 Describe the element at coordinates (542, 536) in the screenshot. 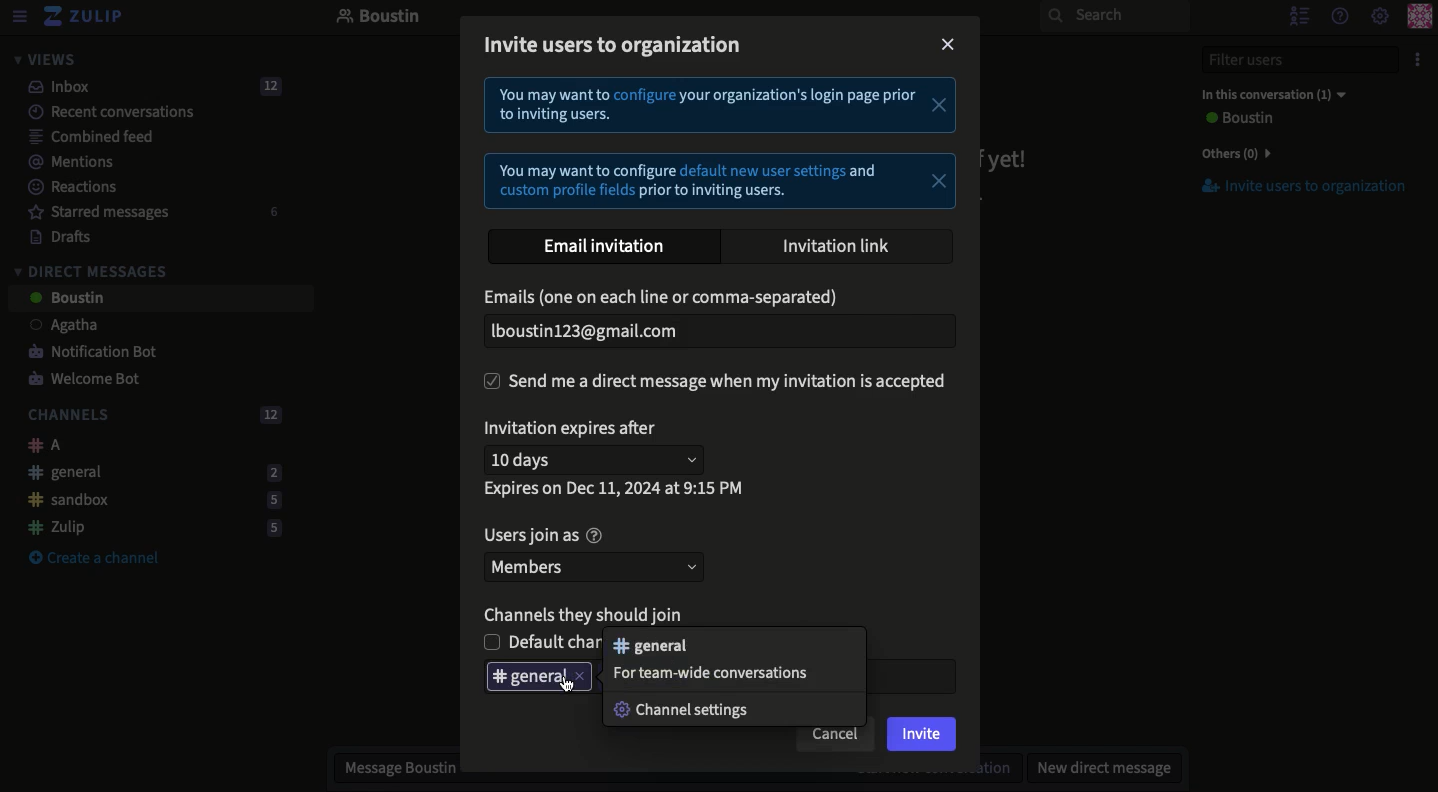

I see `Users join as` at that location.